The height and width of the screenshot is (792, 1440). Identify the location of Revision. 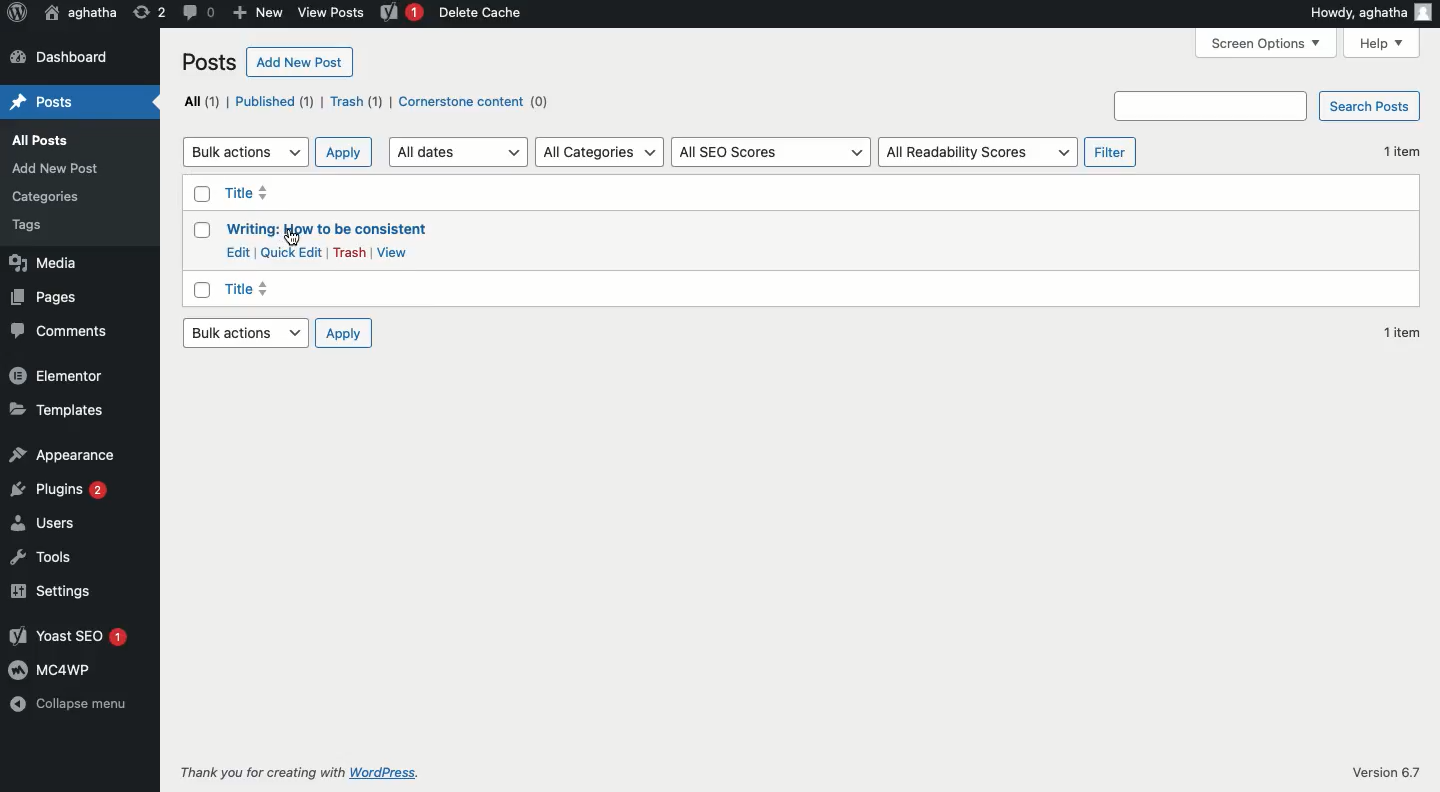
(149, 12).